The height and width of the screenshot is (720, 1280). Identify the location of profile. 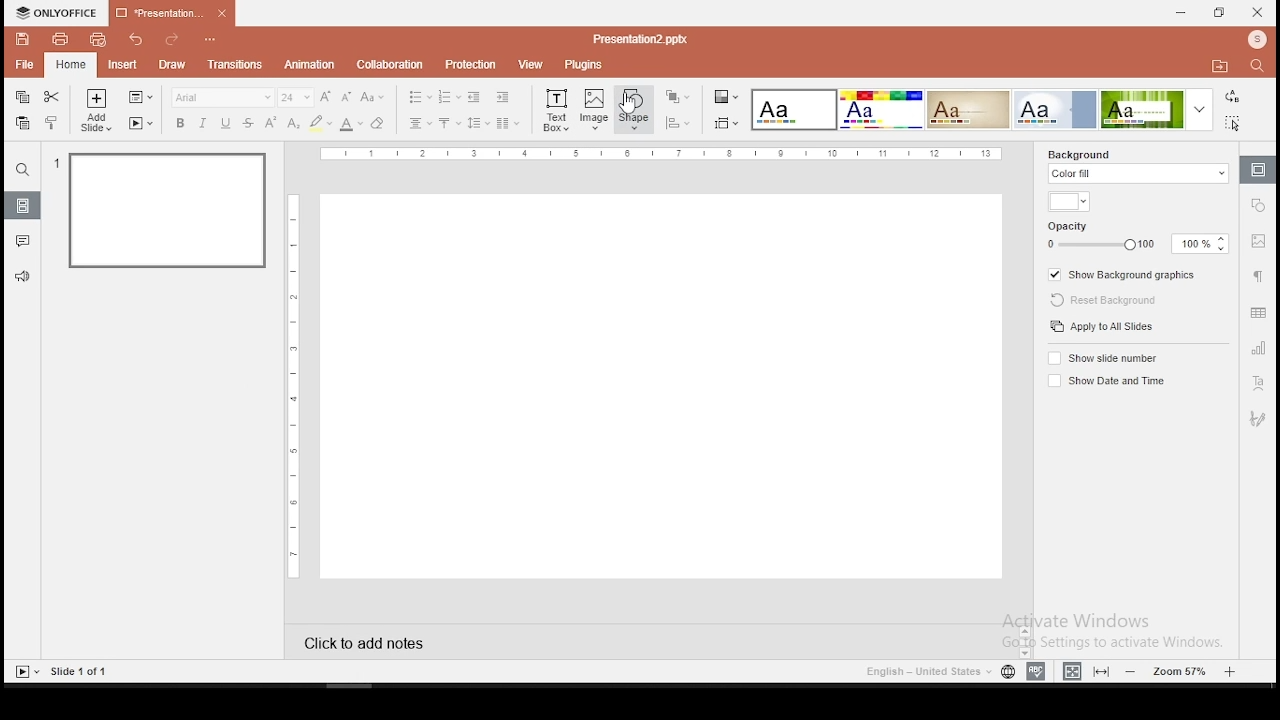
(1255, 41).